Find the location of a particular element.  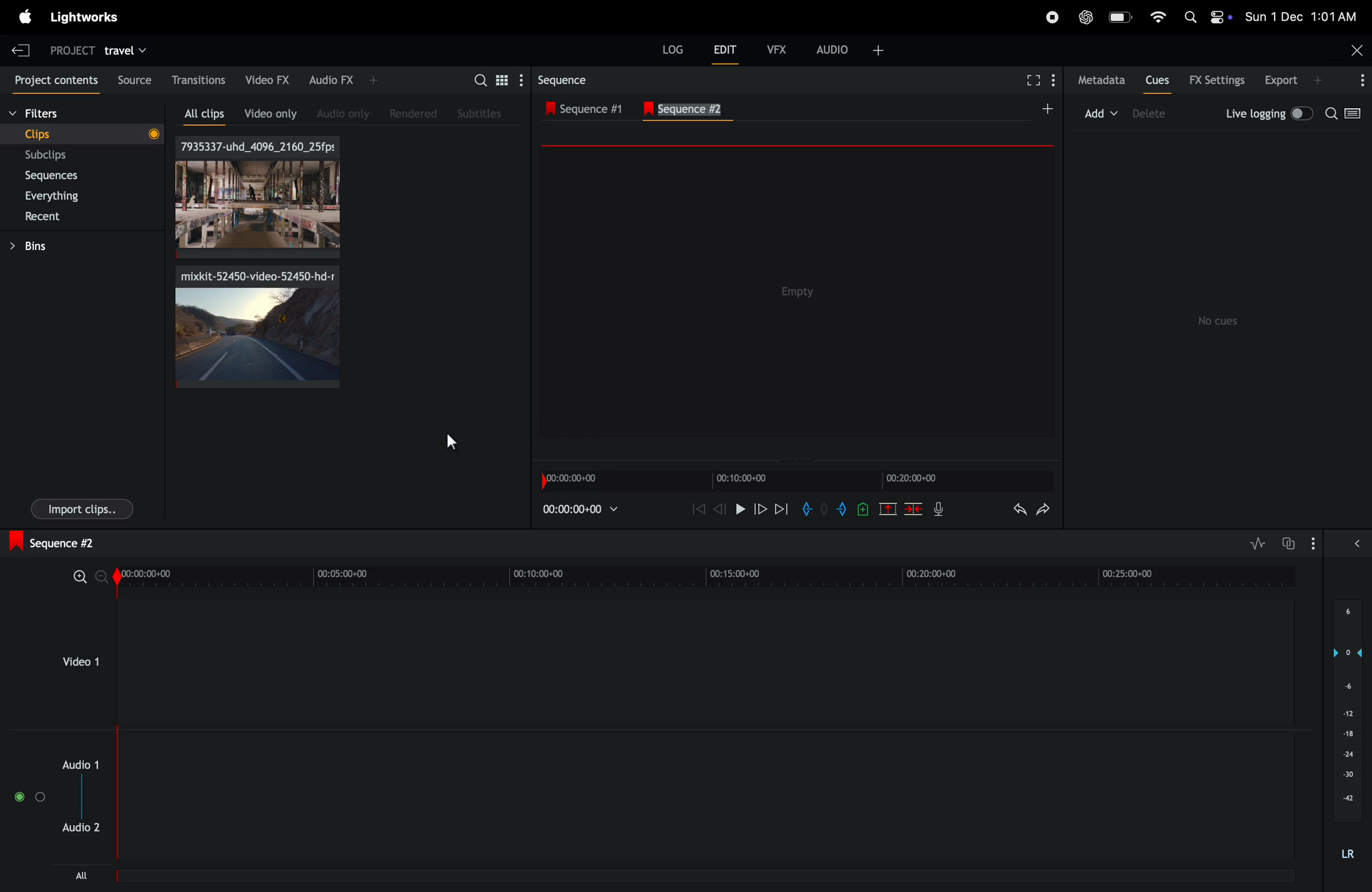

device is located at coordinates (1151, 112).